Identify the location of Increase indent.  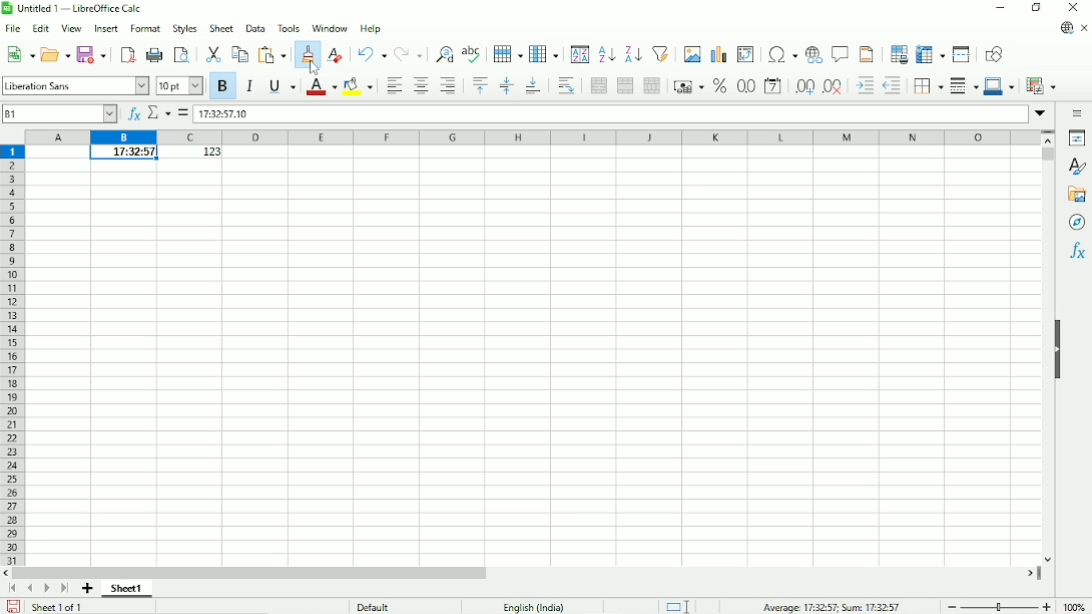
(863, 87).